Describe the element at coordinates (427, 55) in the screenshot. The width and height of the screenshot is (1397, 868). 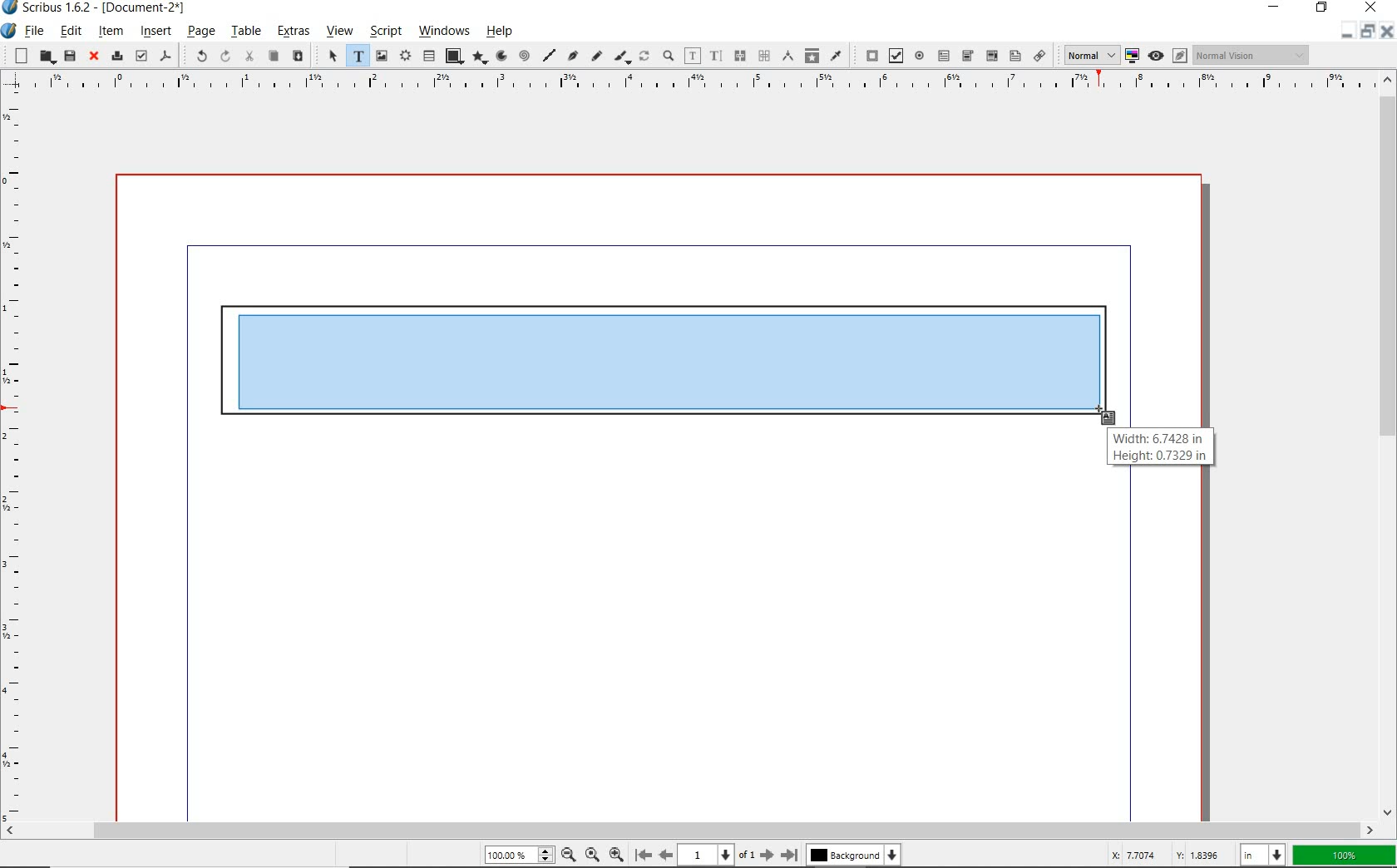
I see `table` at that location.